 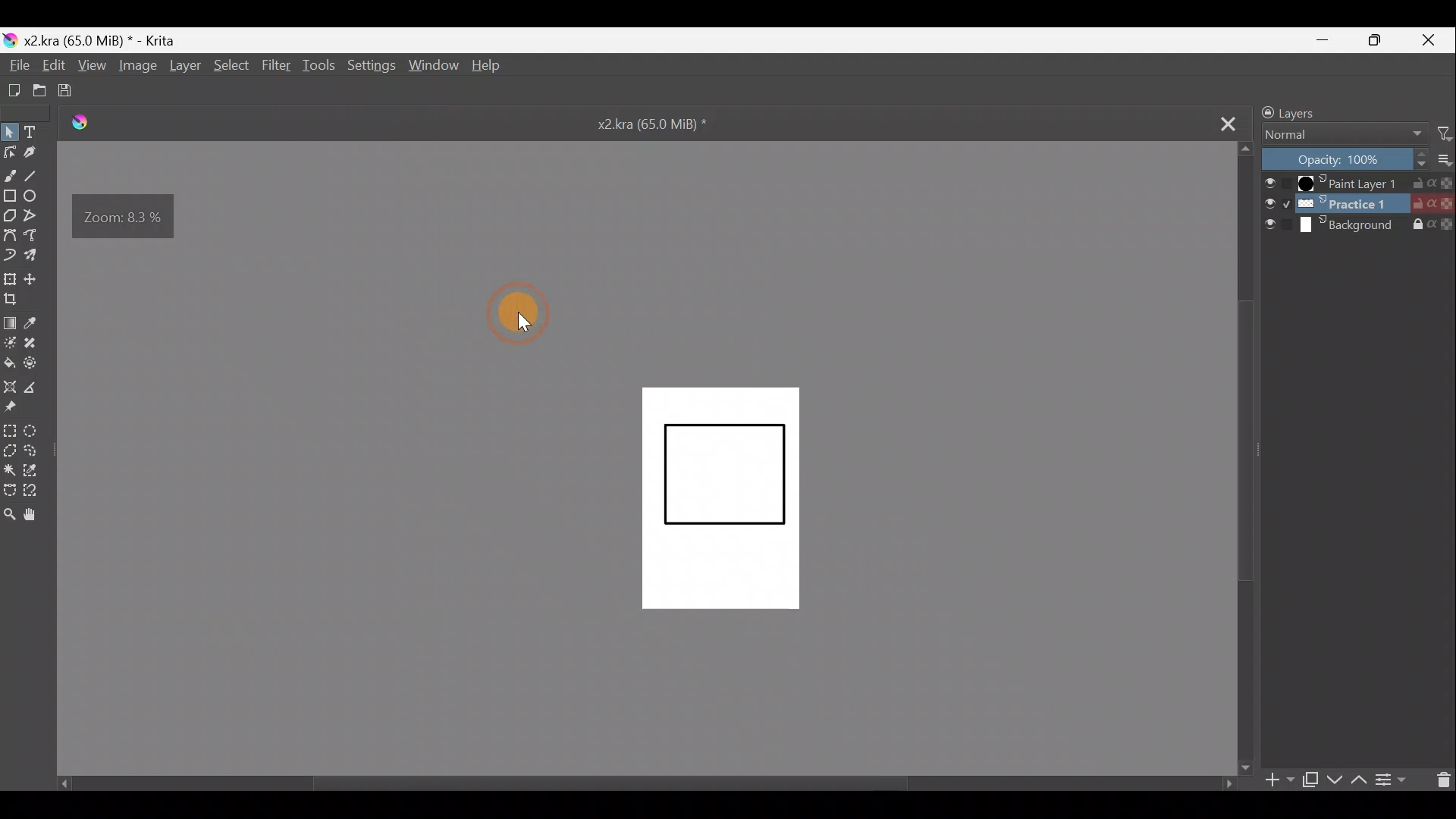 I want to click on Window, so click(x=432, y=64).